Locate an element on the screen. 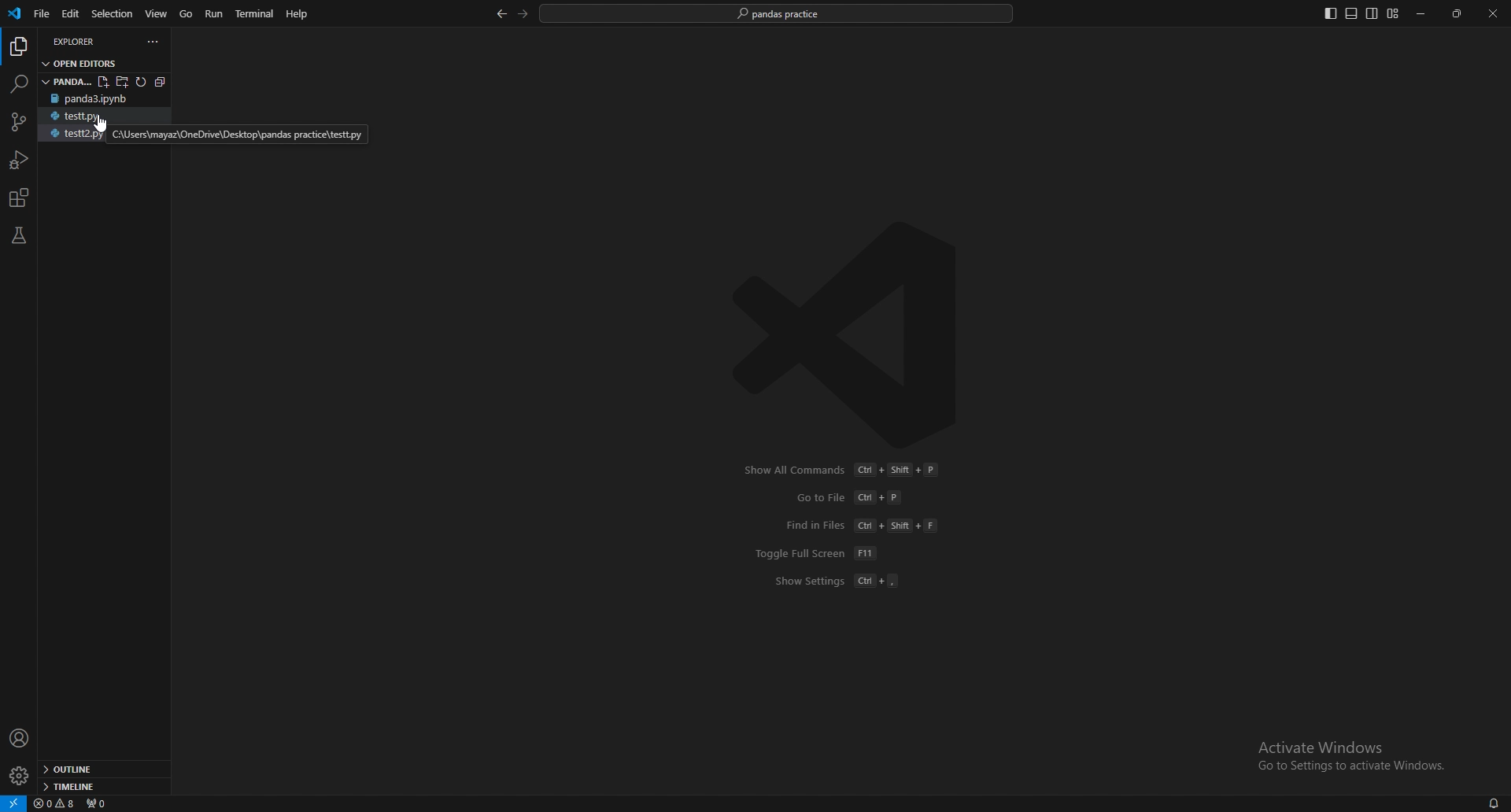 This screenshot has height=812, width=1511. testt2.py is located at coordinates (70, 135).